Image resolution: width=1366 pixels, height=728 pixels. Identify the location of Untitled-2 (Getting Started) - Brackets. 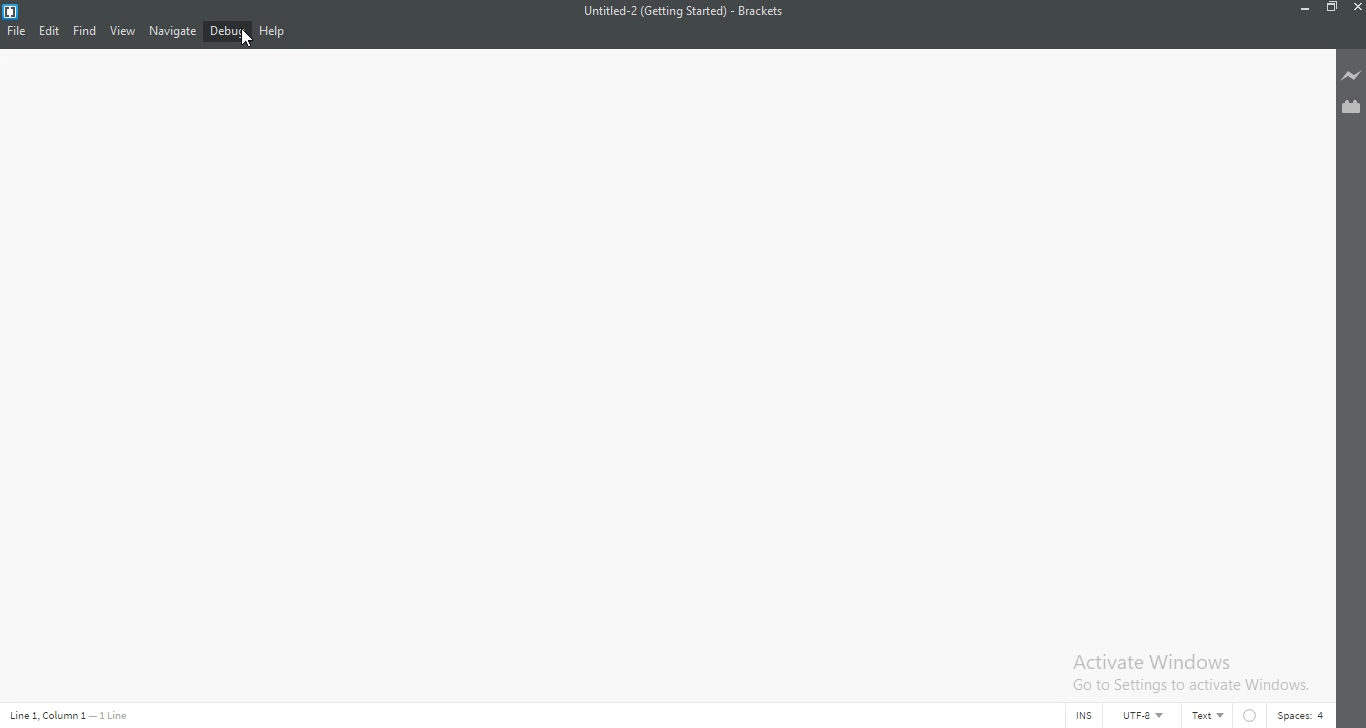
(684, 12).